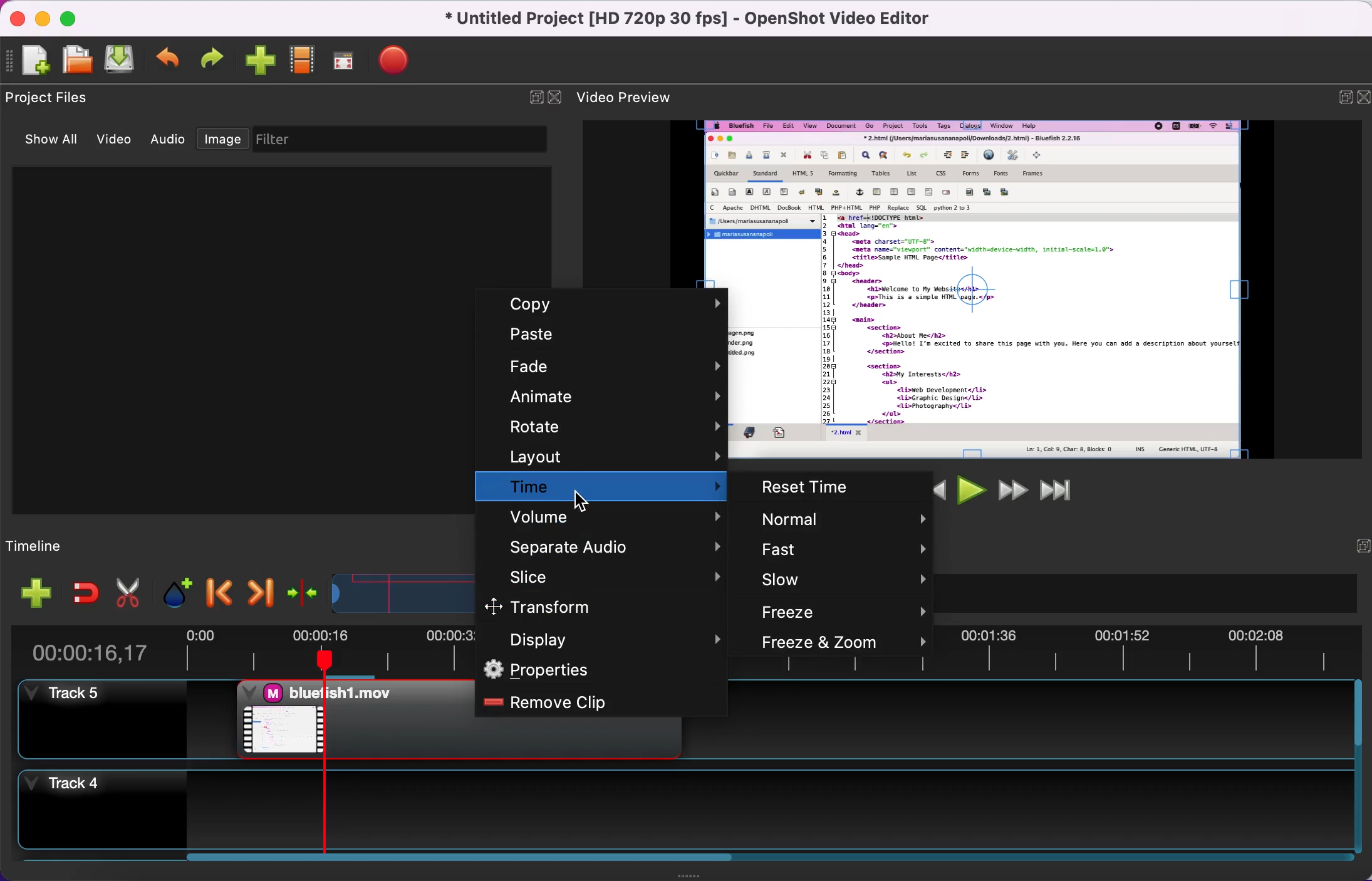 The height and width of the screenshot is (881, 1372). What do you see at coordinates (839, 550) in the screenshot?
I see `fast` at bounding box center [839, 550].